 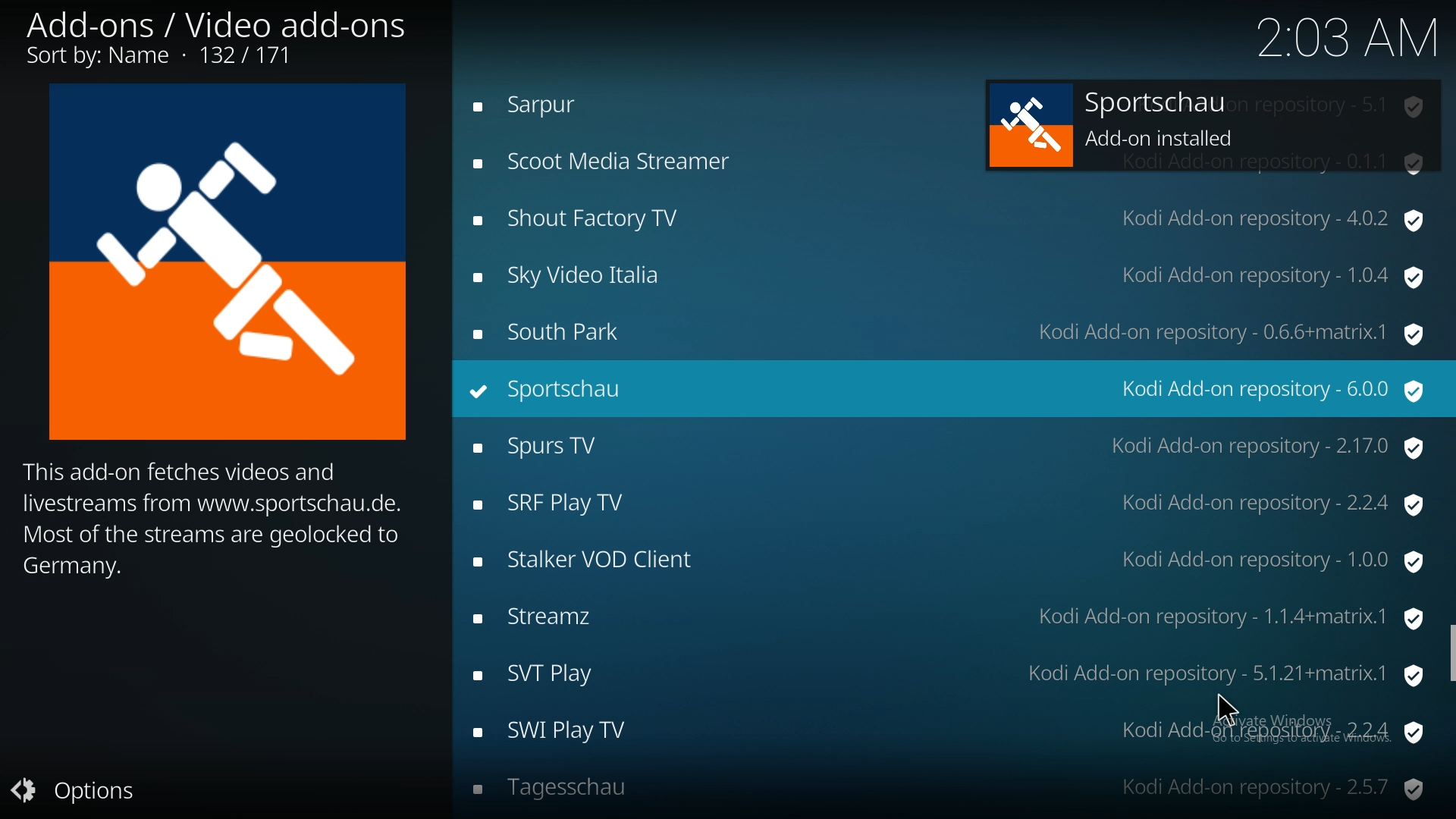 I want to click on stalker VOD client, so click(x=952, y=562).